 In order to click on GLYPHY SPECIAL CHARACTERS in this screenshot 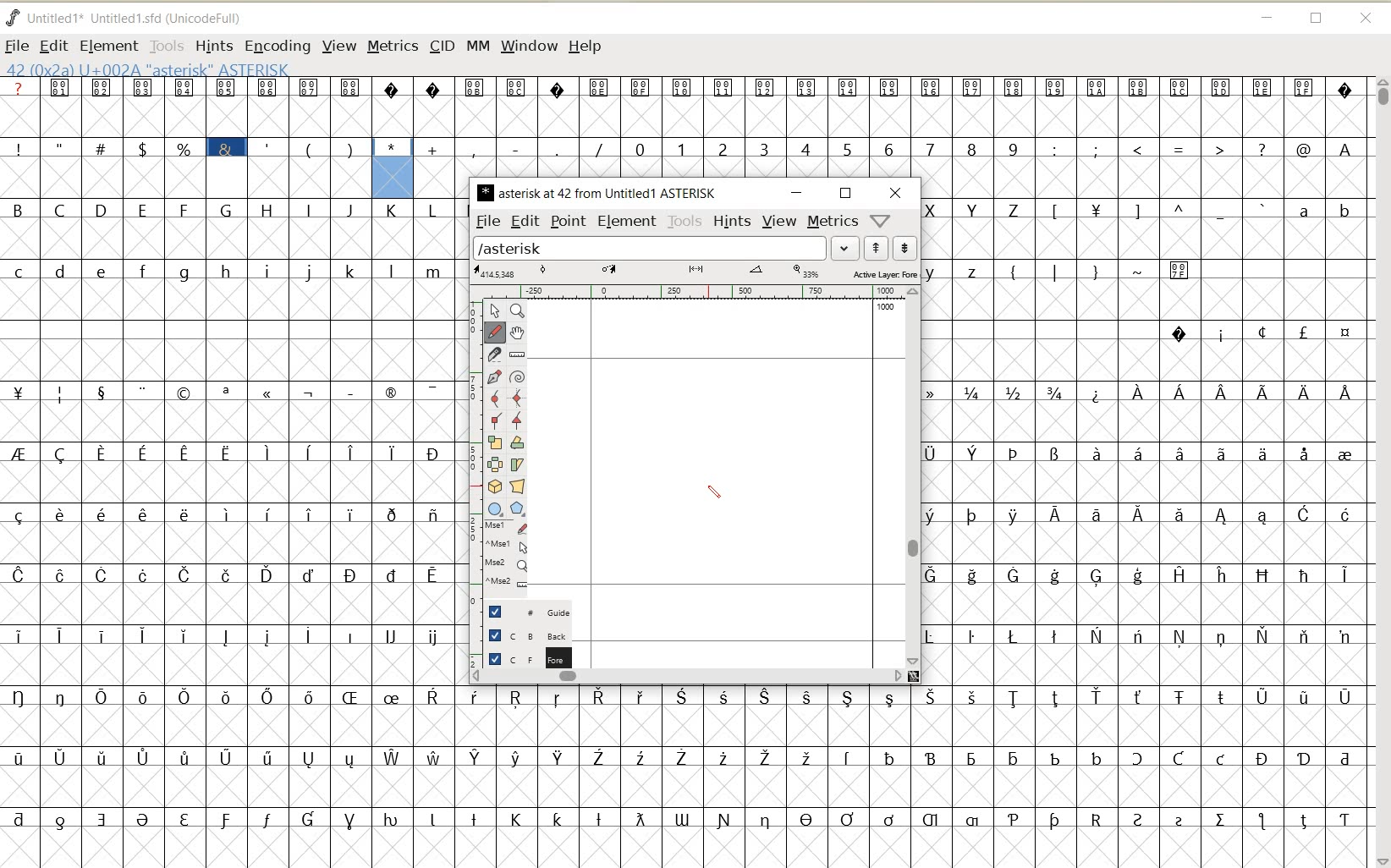, I will do `click(183, 138)`.